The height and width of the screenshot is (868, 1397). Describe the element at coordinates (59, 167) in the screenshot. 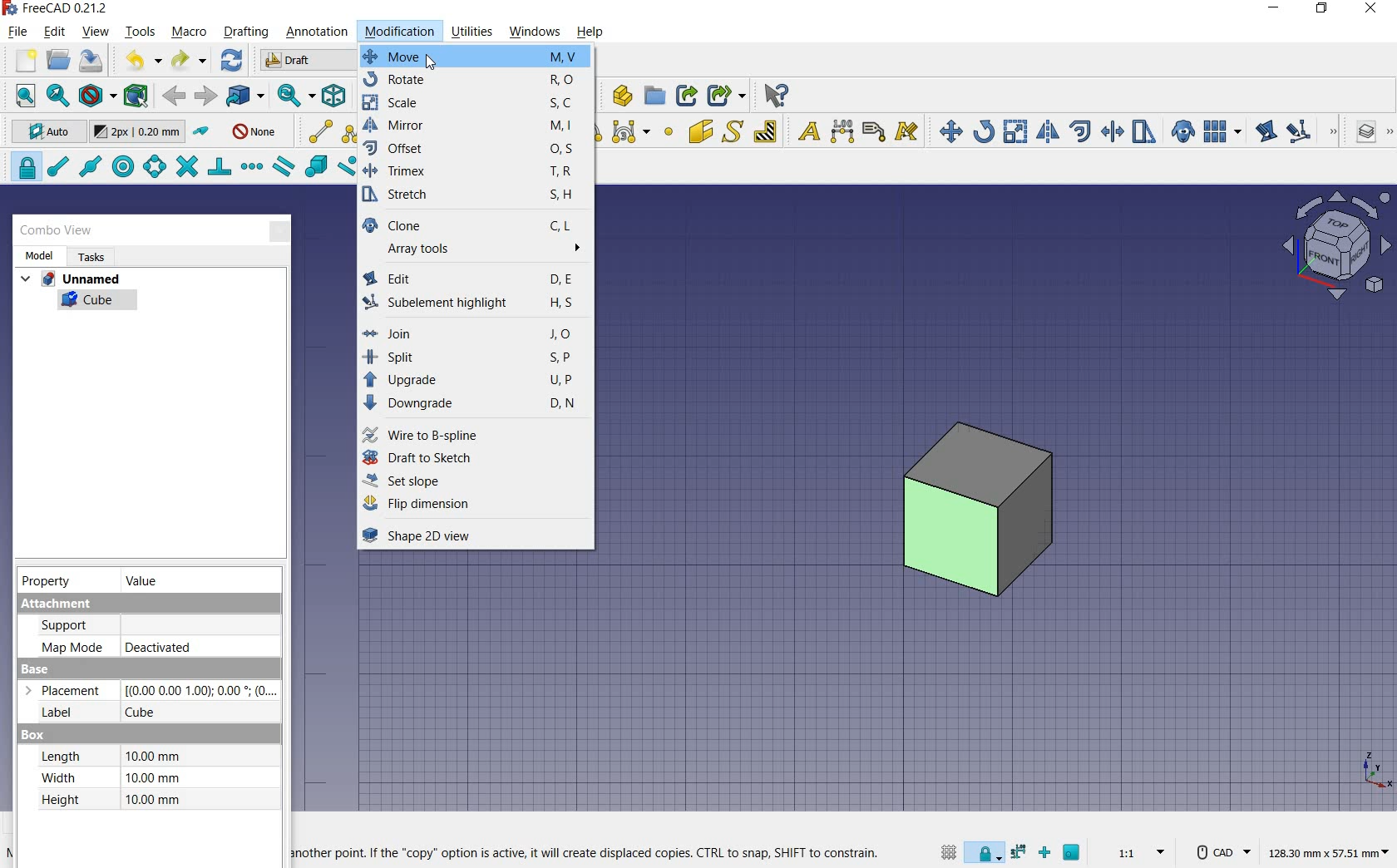

I see `snap endpoint` at that location.